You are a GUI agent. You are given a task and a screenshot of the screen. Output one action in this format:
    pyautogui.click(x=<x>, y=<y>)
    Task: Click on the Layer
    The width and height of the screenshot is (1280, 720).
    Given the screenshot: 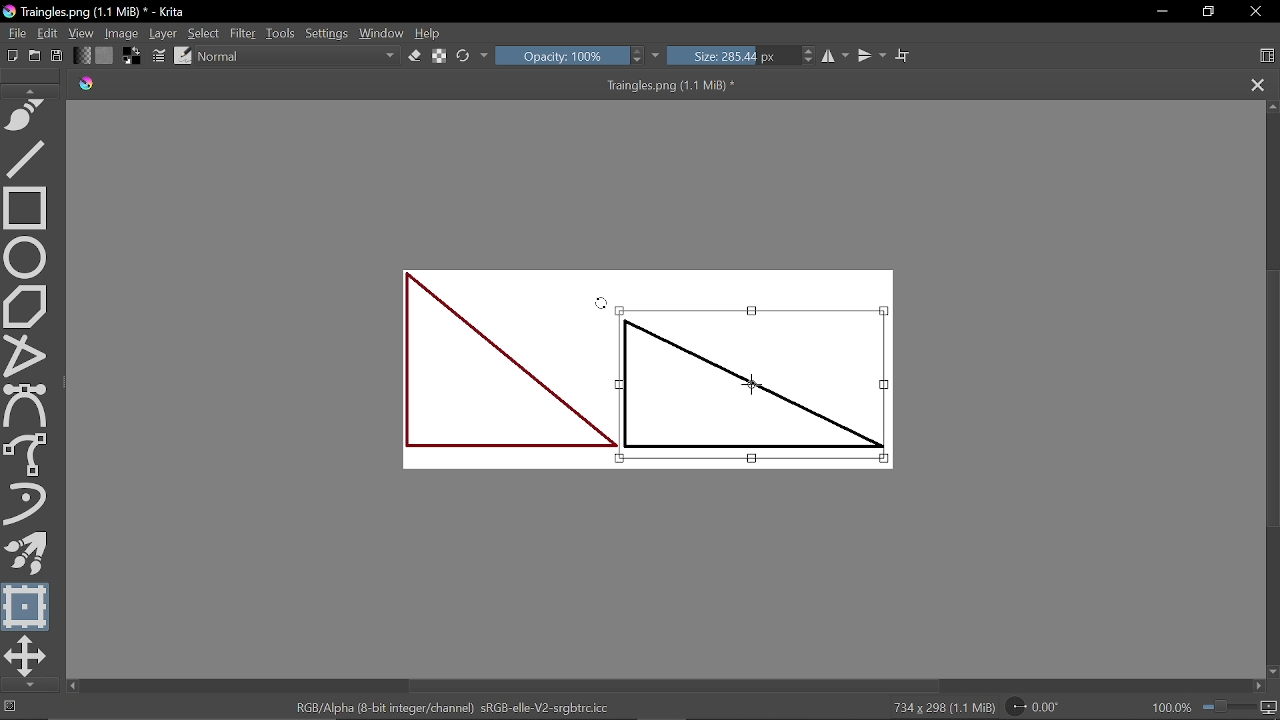 What is the action you would take?
    pyautogui.click(x=164, y=34)
    